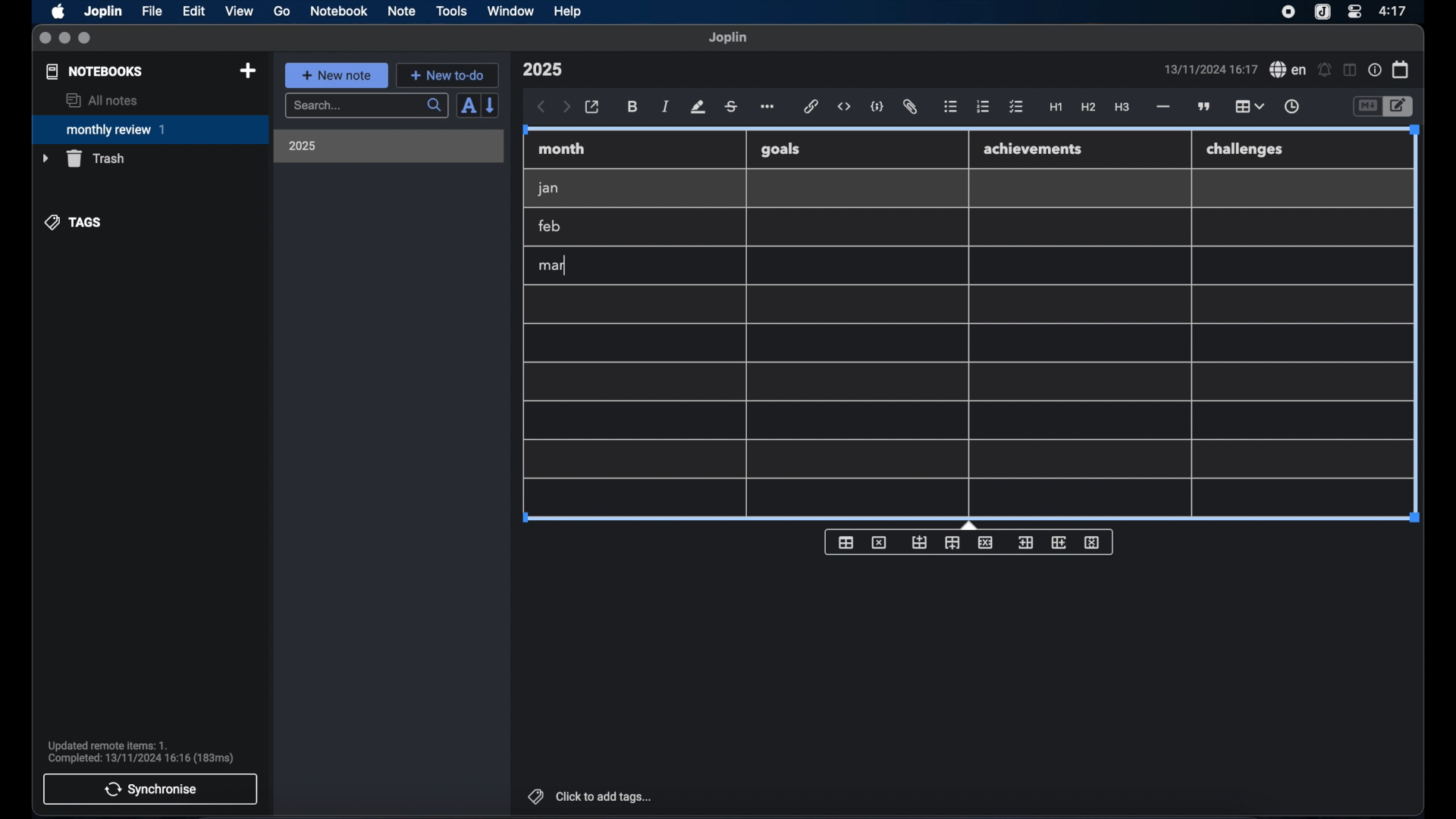  Describe the element at coordinates (1016, 108) in the screenshot. I see `check  list` at that location.